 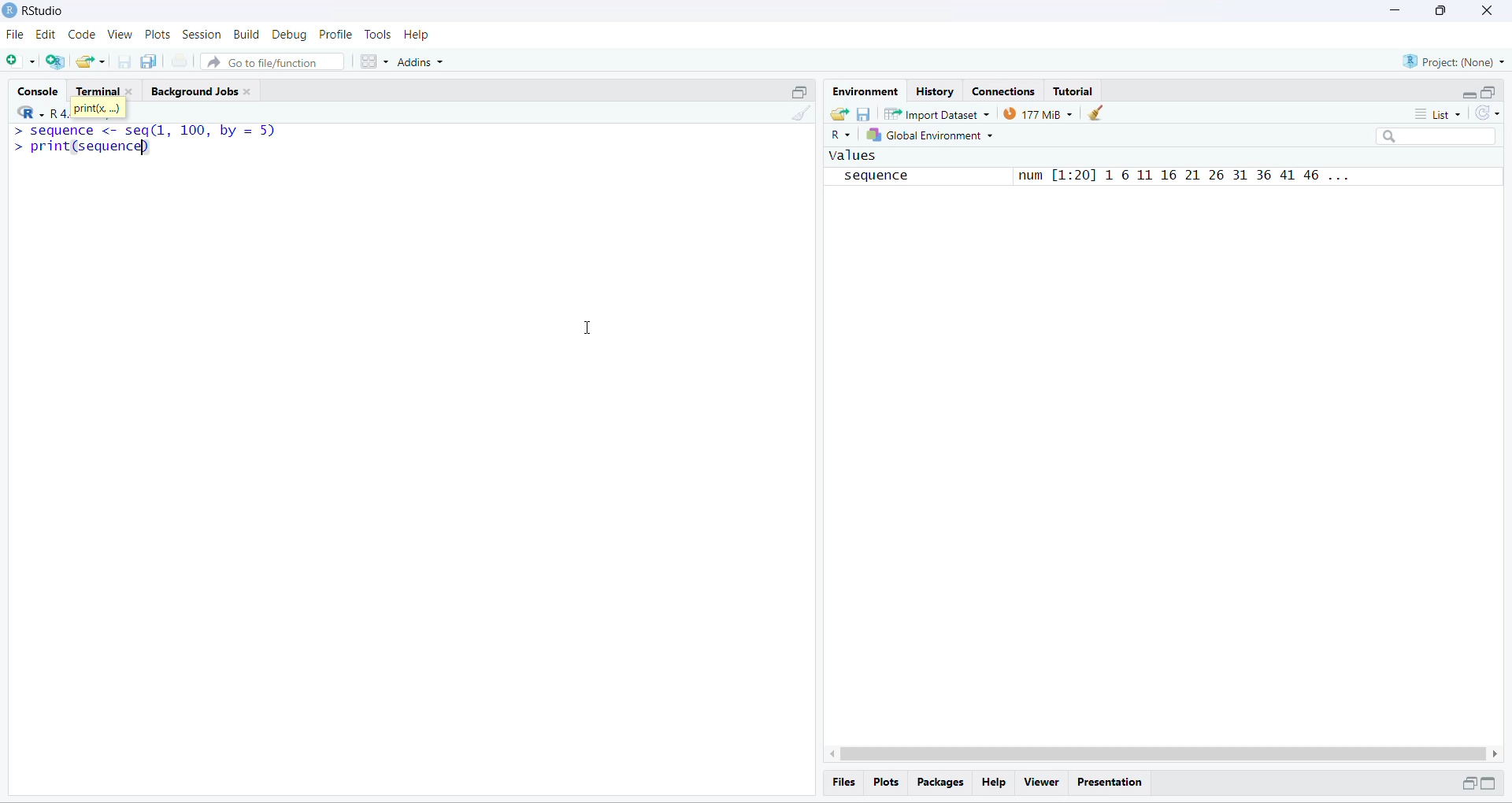 I want to click on logo, so click(x=9, y=9).